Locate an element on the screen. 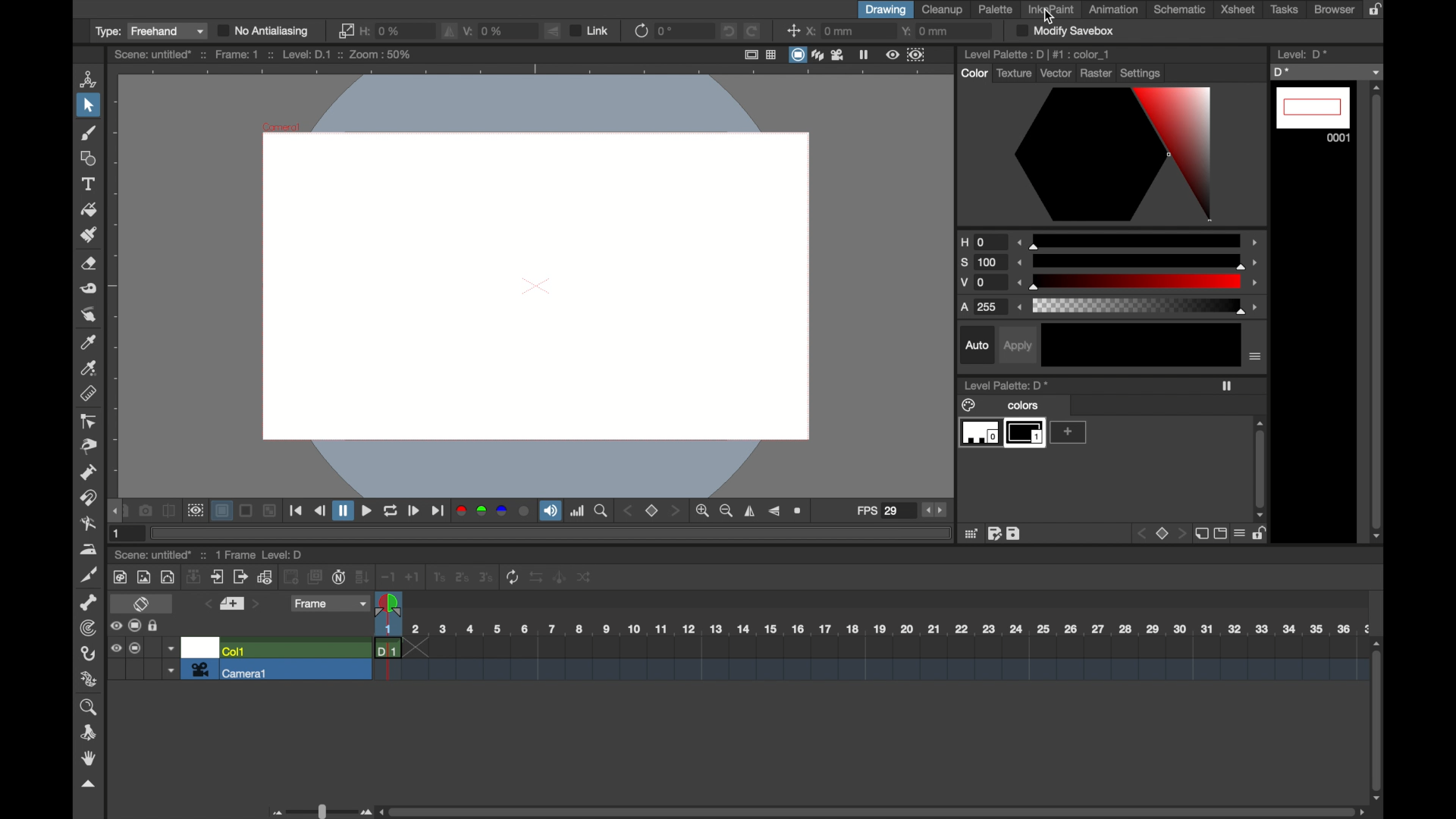 The height and width of the screenshot is (819, 1456). scroll box is located at coordinates (1260, 470).